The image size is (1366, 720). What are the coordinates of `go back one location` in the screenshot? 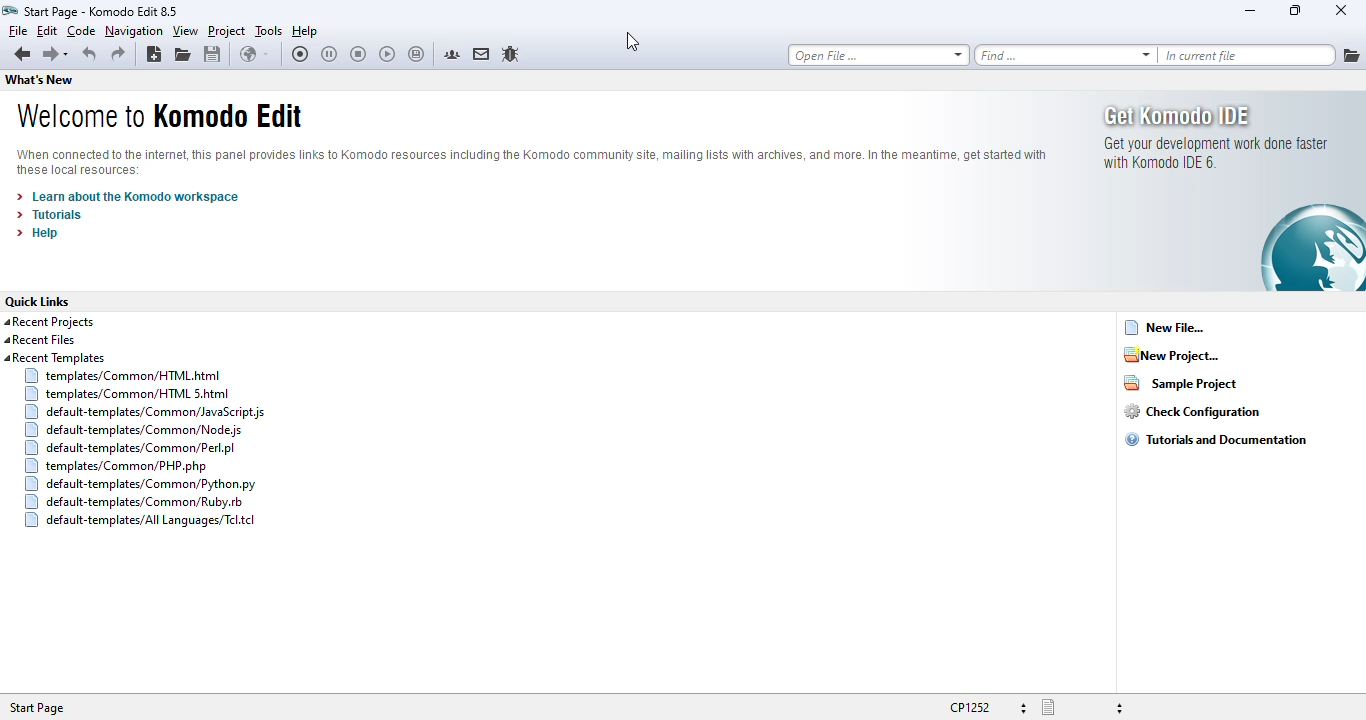 It's located at (22, 55).